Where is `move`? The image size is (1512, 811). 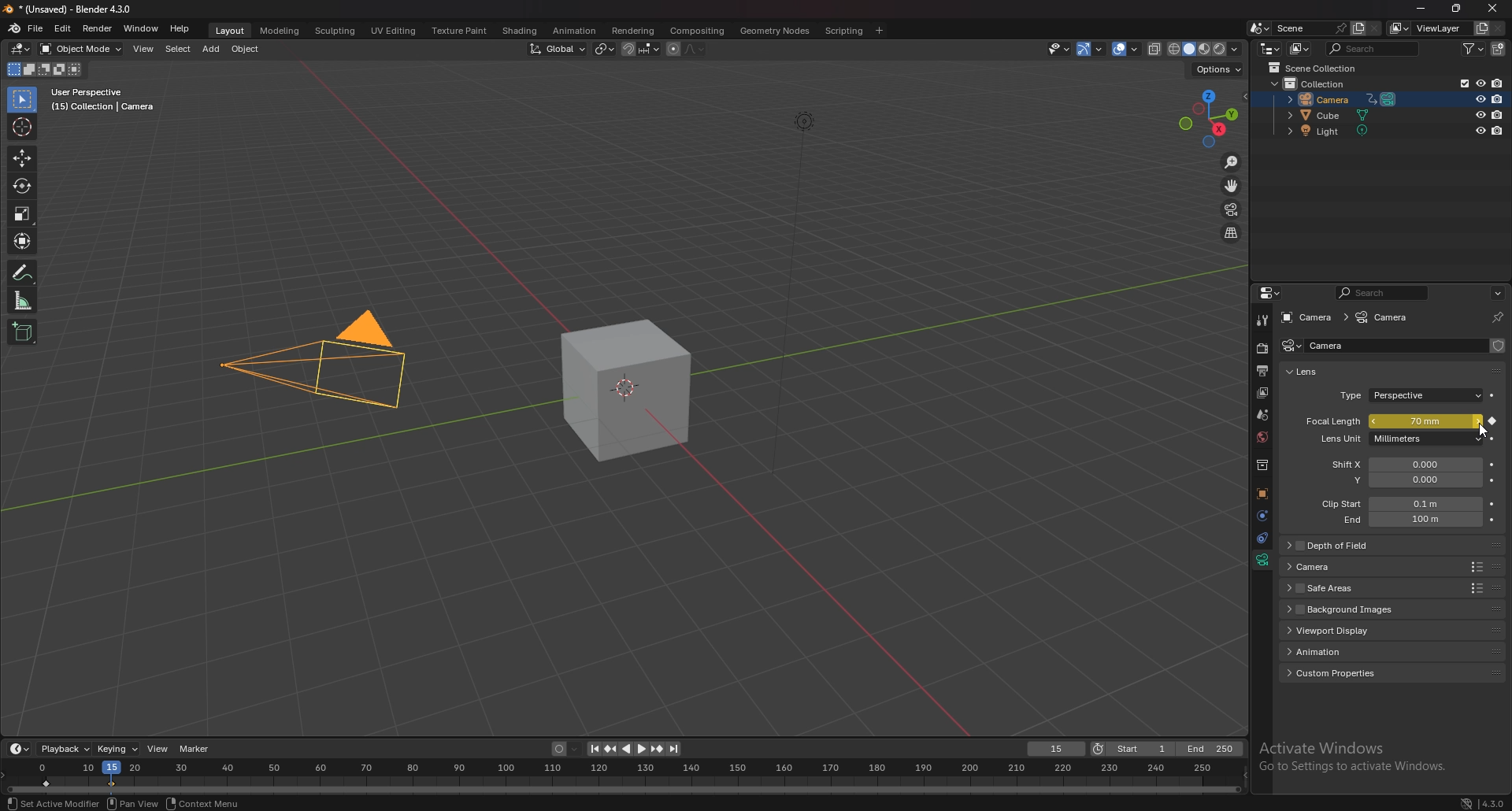
move is located at coordinates (23, 157).